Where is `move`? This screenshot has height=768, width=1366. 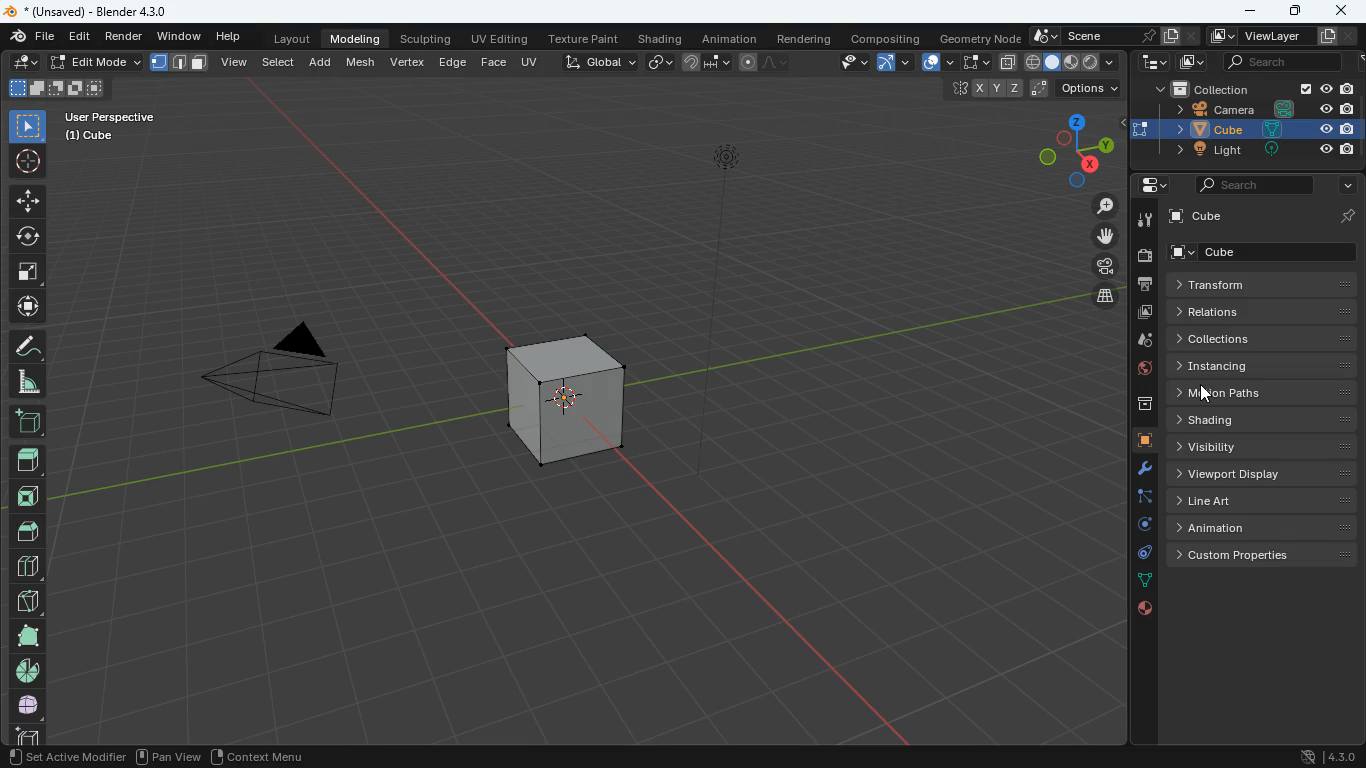
move is located at coordinates (1096, 236).